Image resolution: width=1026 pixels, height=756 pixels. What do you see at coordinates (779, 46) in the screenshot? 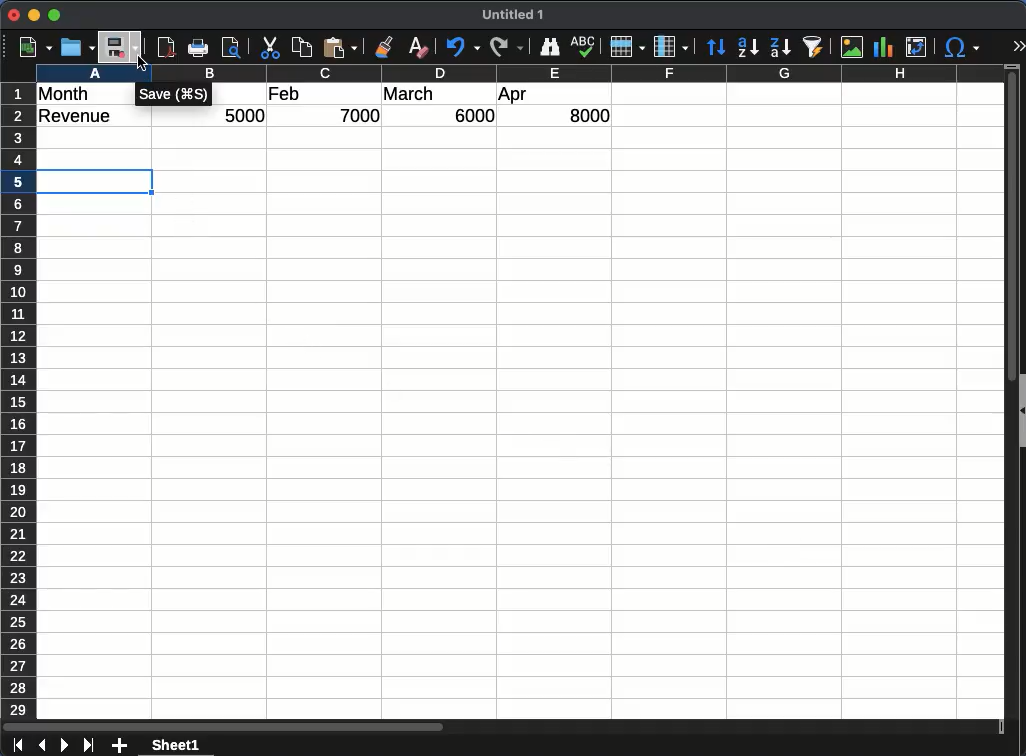
I see `descending ` at bounding box center [779, 46].